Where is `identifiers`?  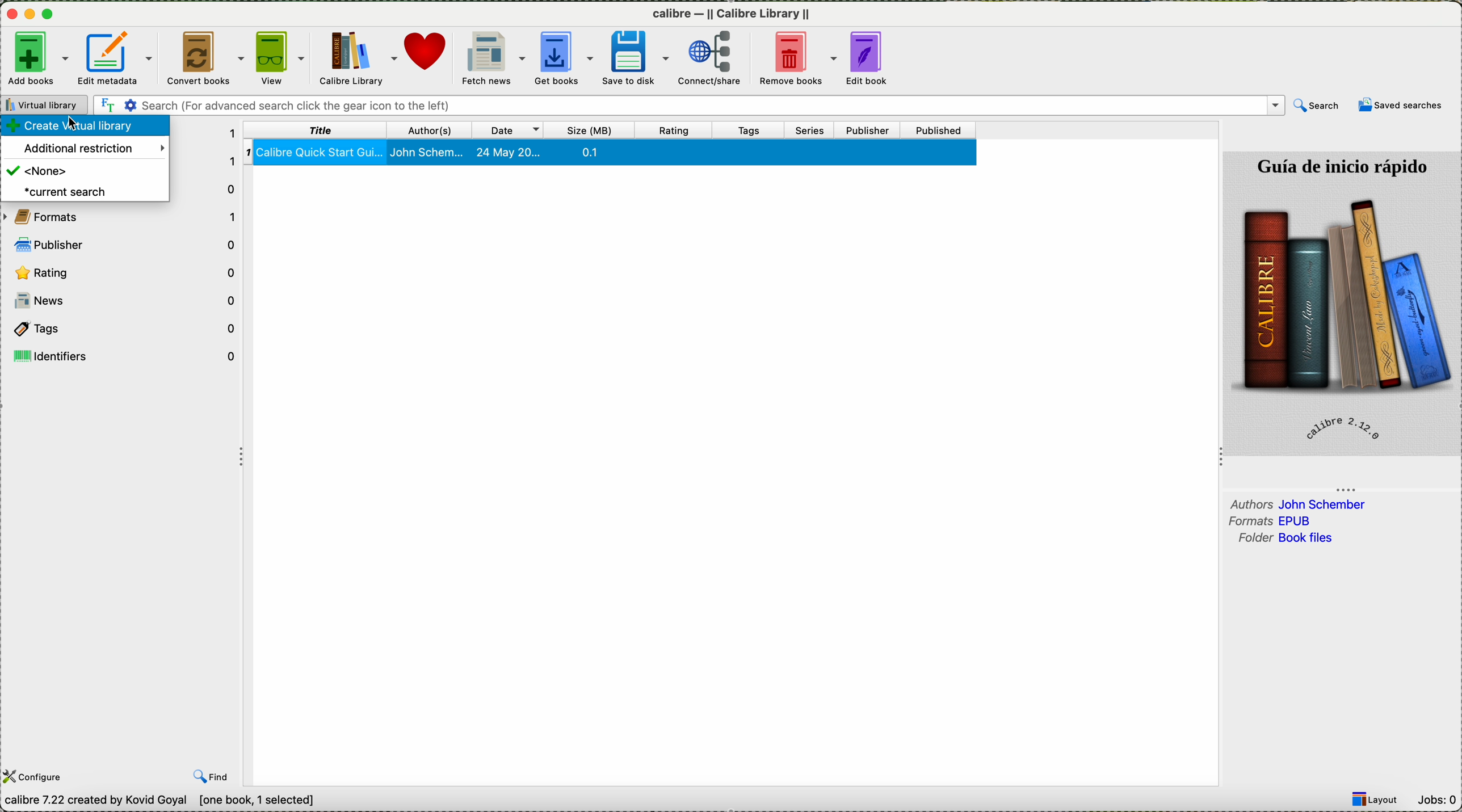
identifiers is located at coordinates (126, 355).